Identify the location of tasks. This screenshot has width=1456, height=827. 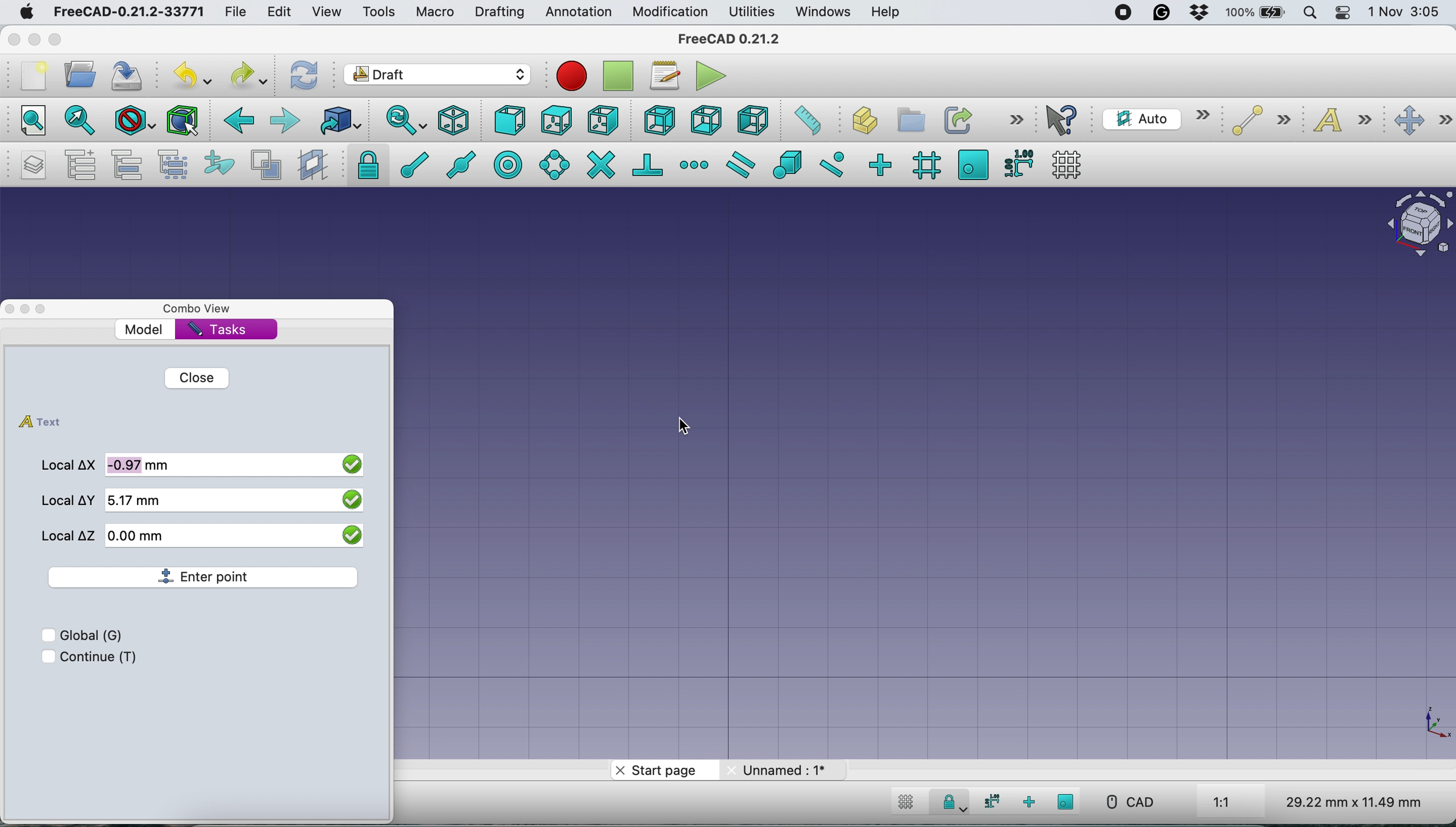
(219, 330).